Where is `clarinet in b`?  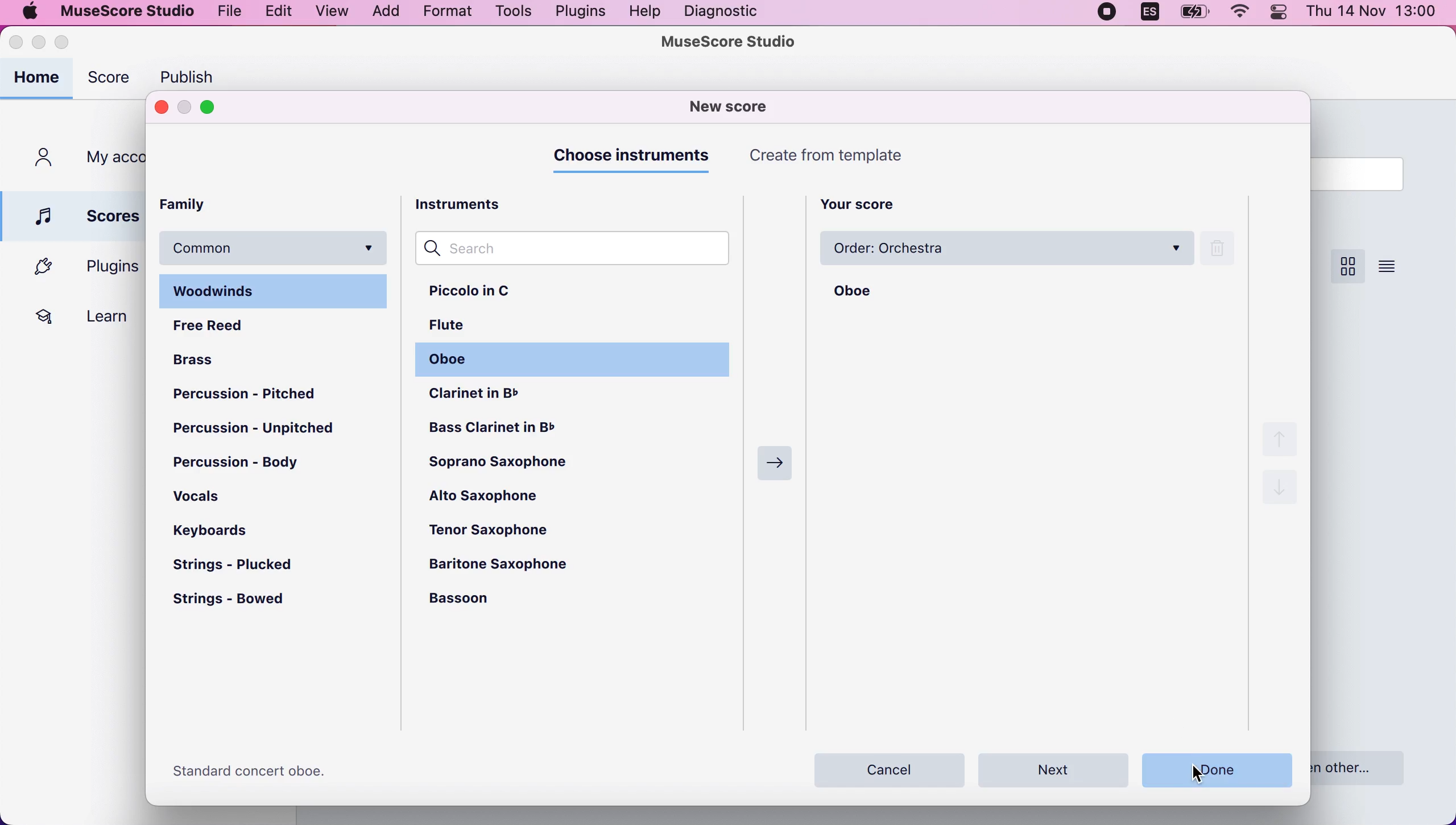
clarinet in b is located at coordinates (499, 396).